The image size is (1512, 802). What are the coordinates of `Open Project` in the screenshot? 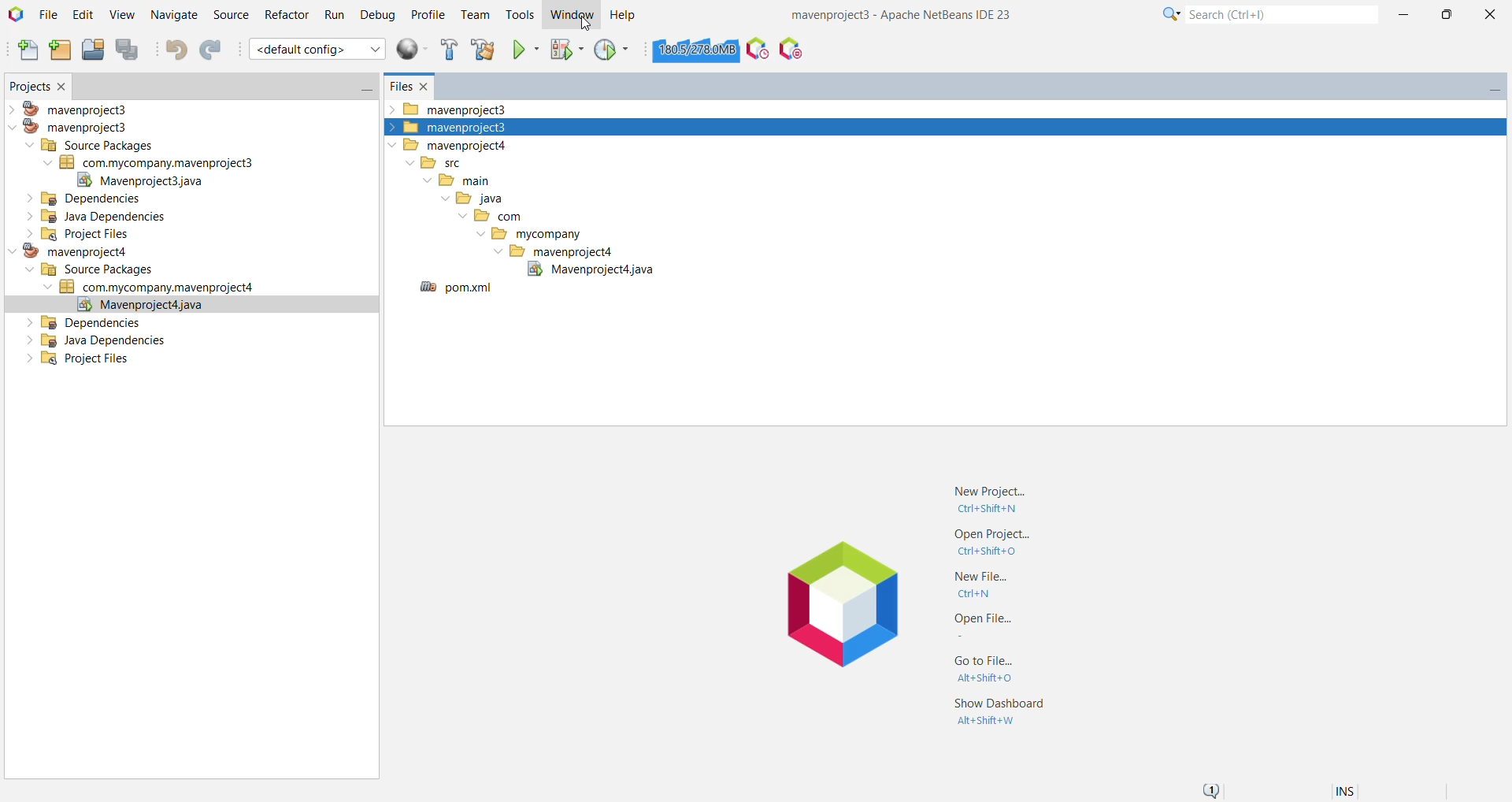 It's located at (990, 543).